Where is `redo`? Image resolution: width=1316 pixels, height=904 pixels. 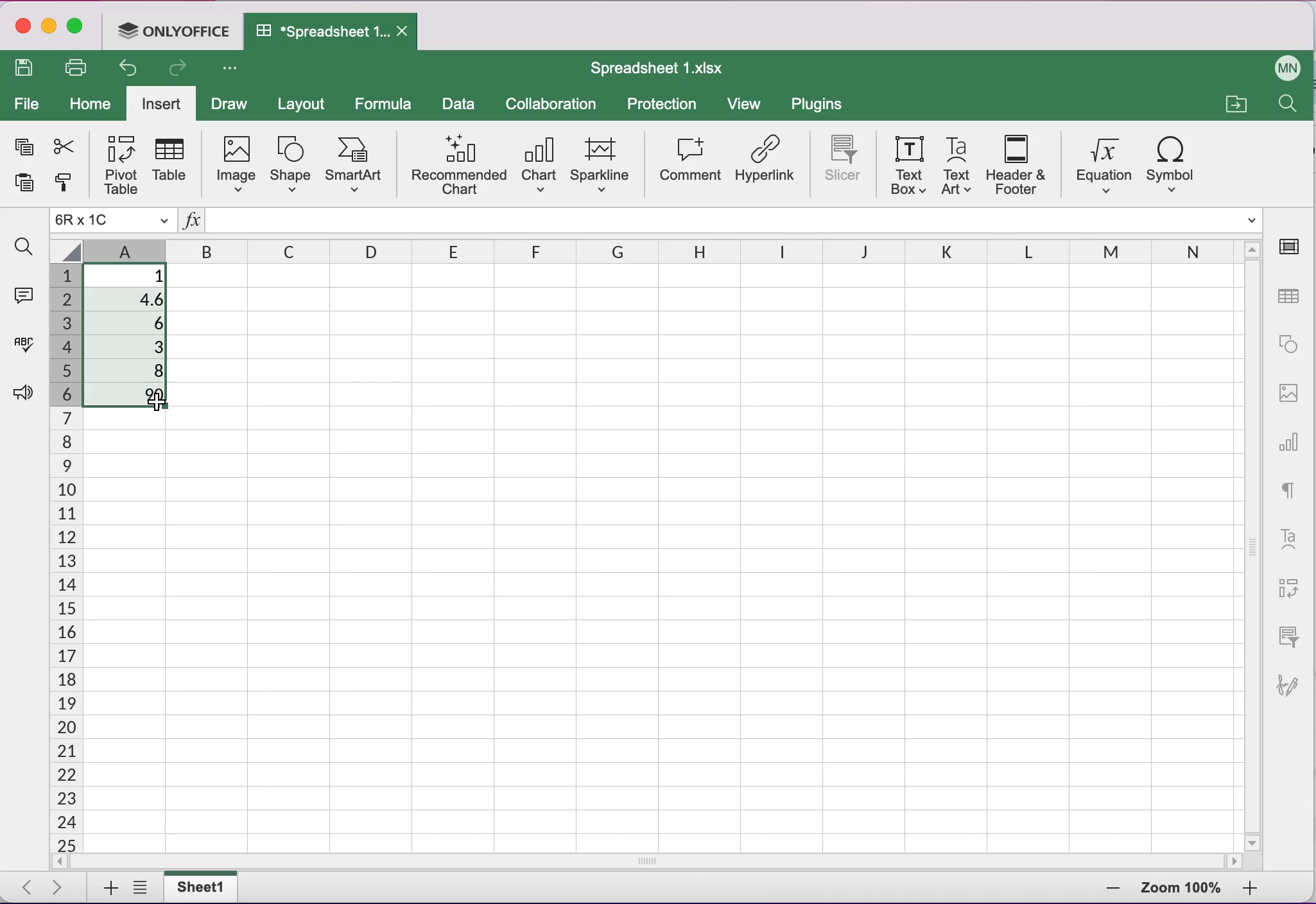 redo is located at coordinates (181, 69).